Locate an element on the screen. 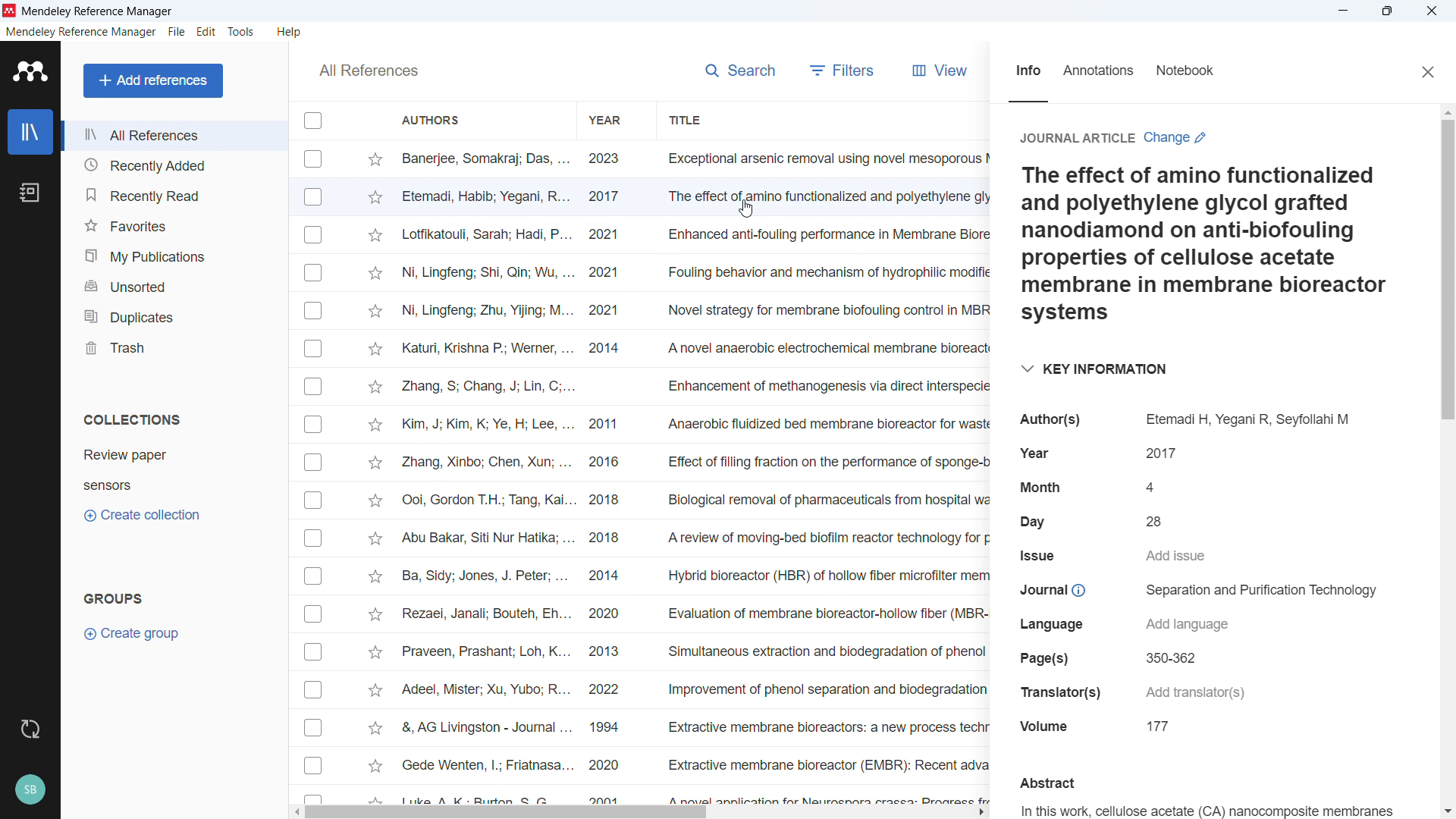 The image size is (1456, 819). Recently added  is located at coordinates (173, 165).